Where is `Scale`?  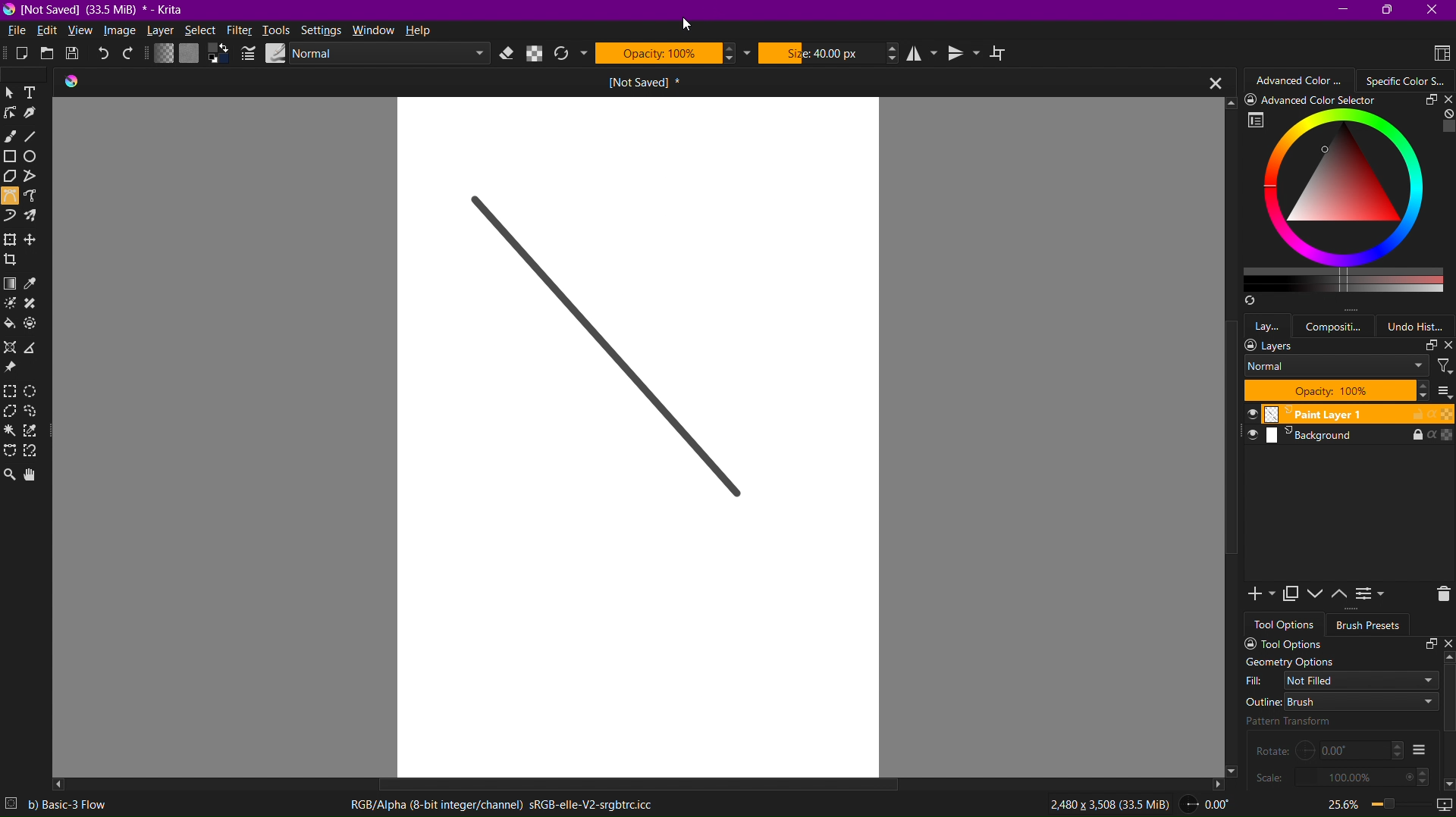
Scale is located at coordinates (1341, 777).